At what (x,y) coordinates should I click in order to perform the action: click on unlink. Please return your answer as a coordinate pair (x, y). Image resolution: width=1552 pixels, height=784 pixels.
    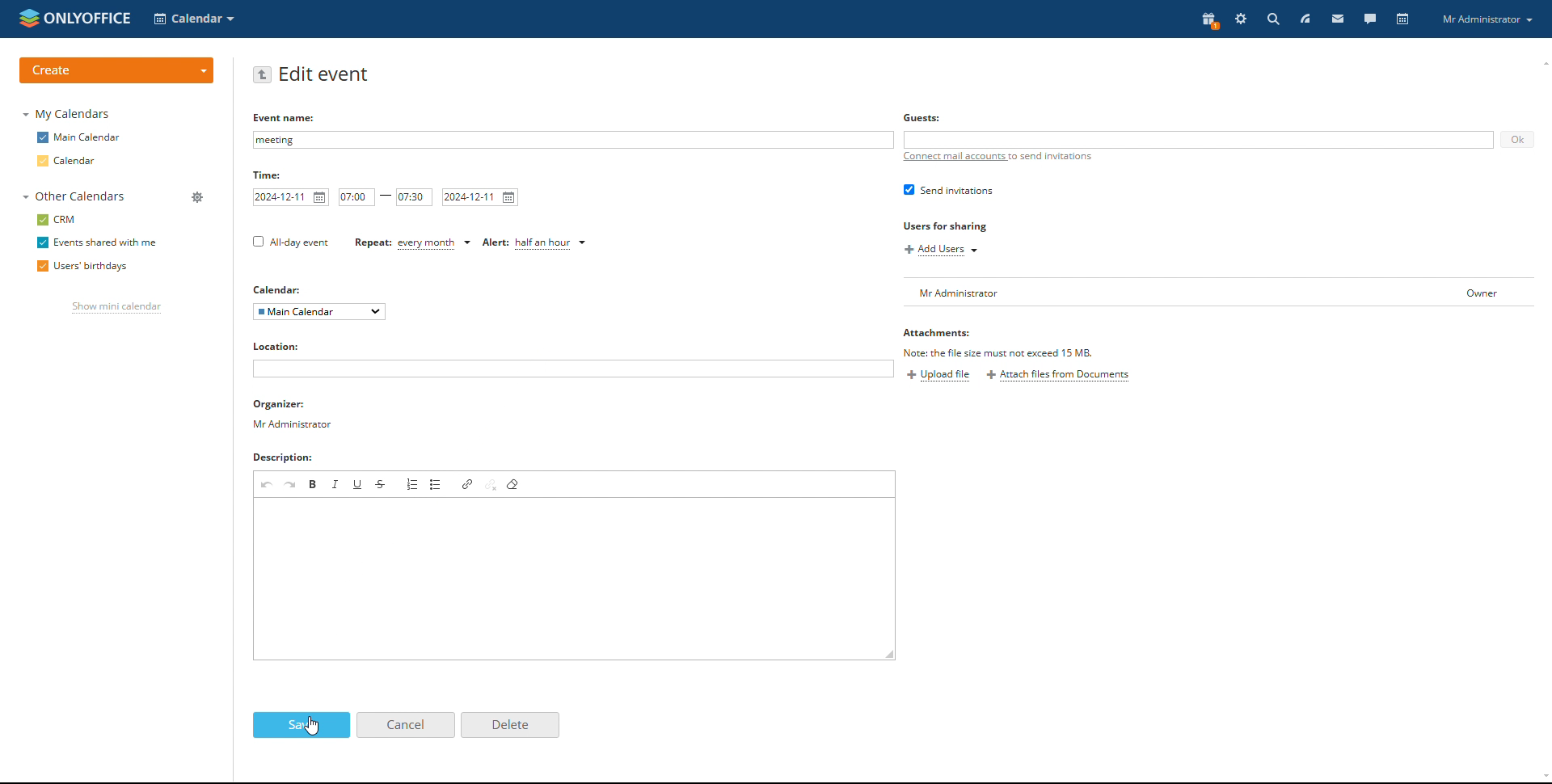
    Looking at the image, I should click on (491, 484).